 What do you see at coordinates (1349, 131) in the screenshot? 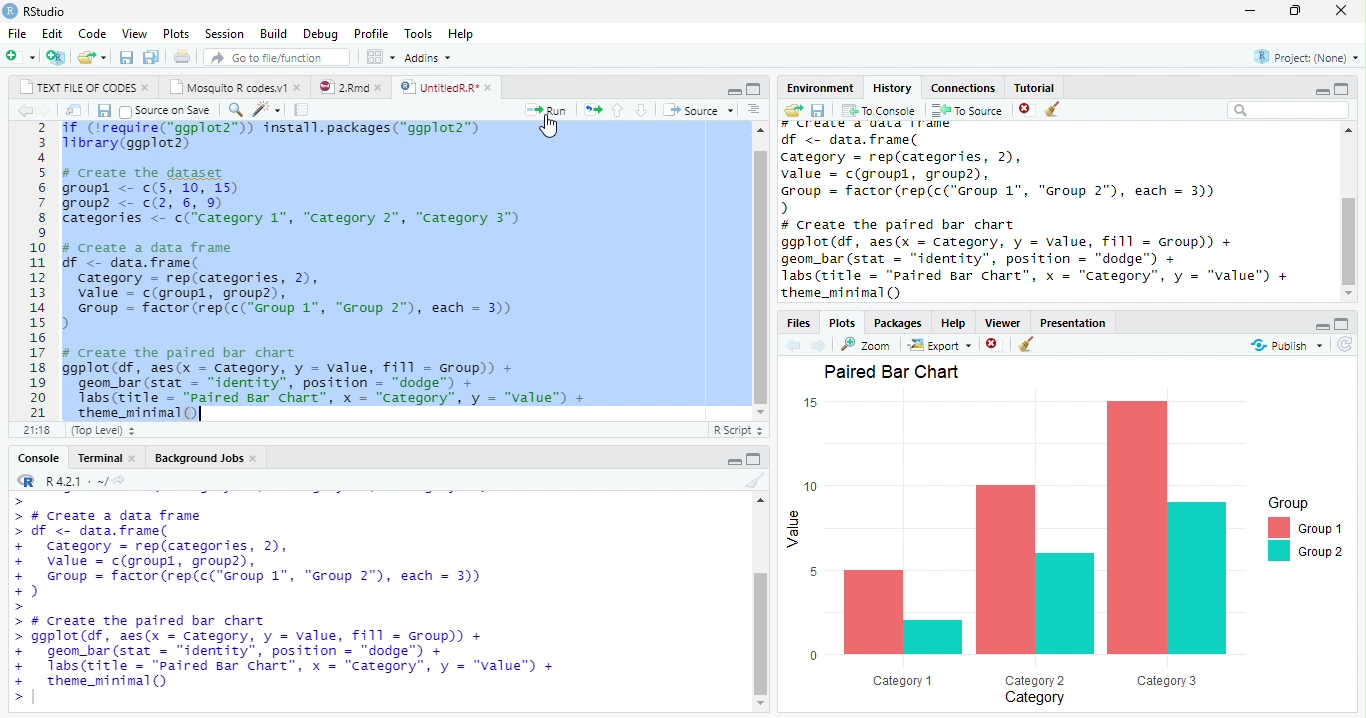
I see `scroll up` at bounding box center [1349, 131].